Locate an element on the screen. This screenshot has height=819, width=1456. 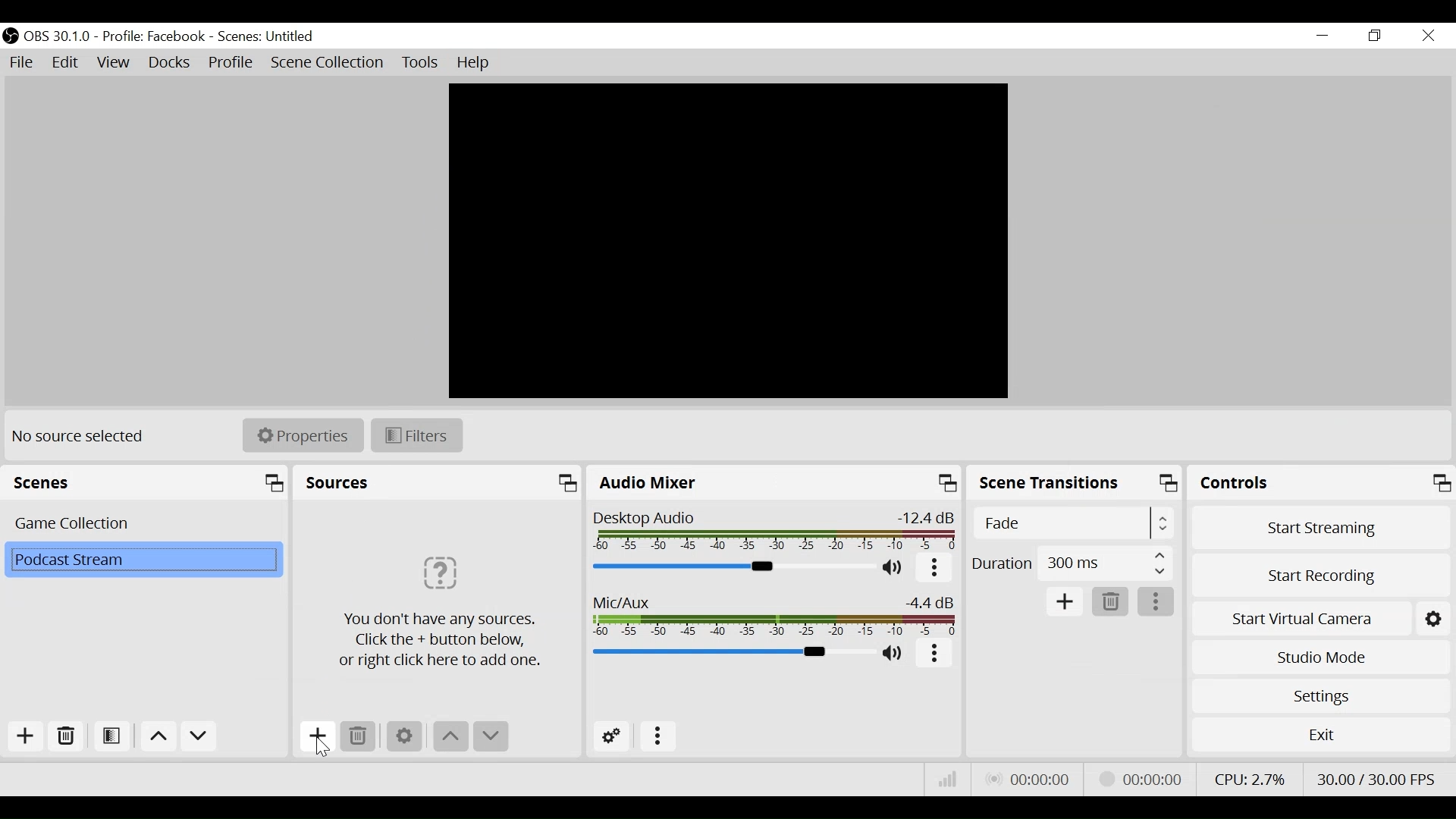
Select Scene Transitions is located at coordinates (1075, 522).